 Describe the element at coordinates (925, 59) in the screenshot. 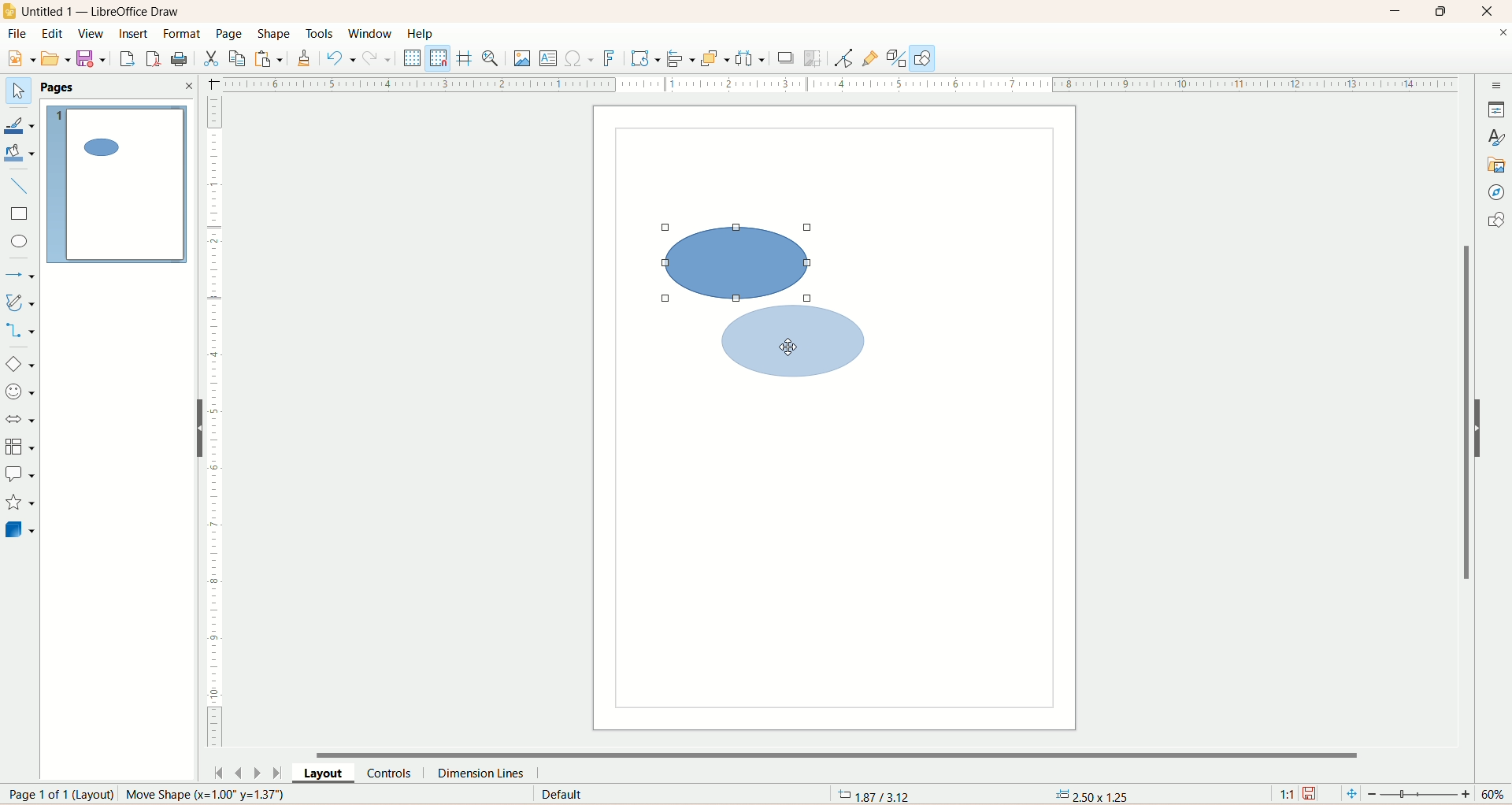

I see `draw function` at that location.